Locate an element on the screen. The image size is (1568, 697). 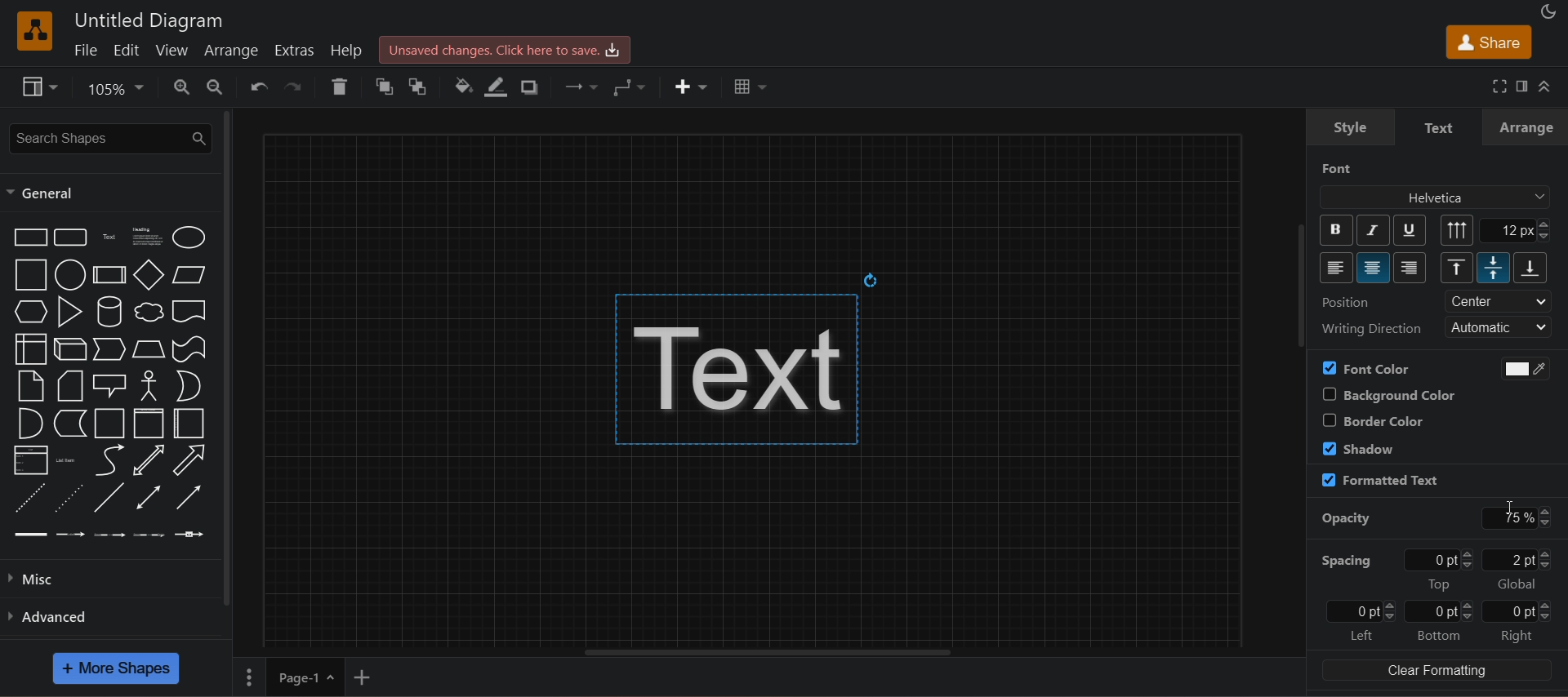
position is located at coordinates (1347, 302).